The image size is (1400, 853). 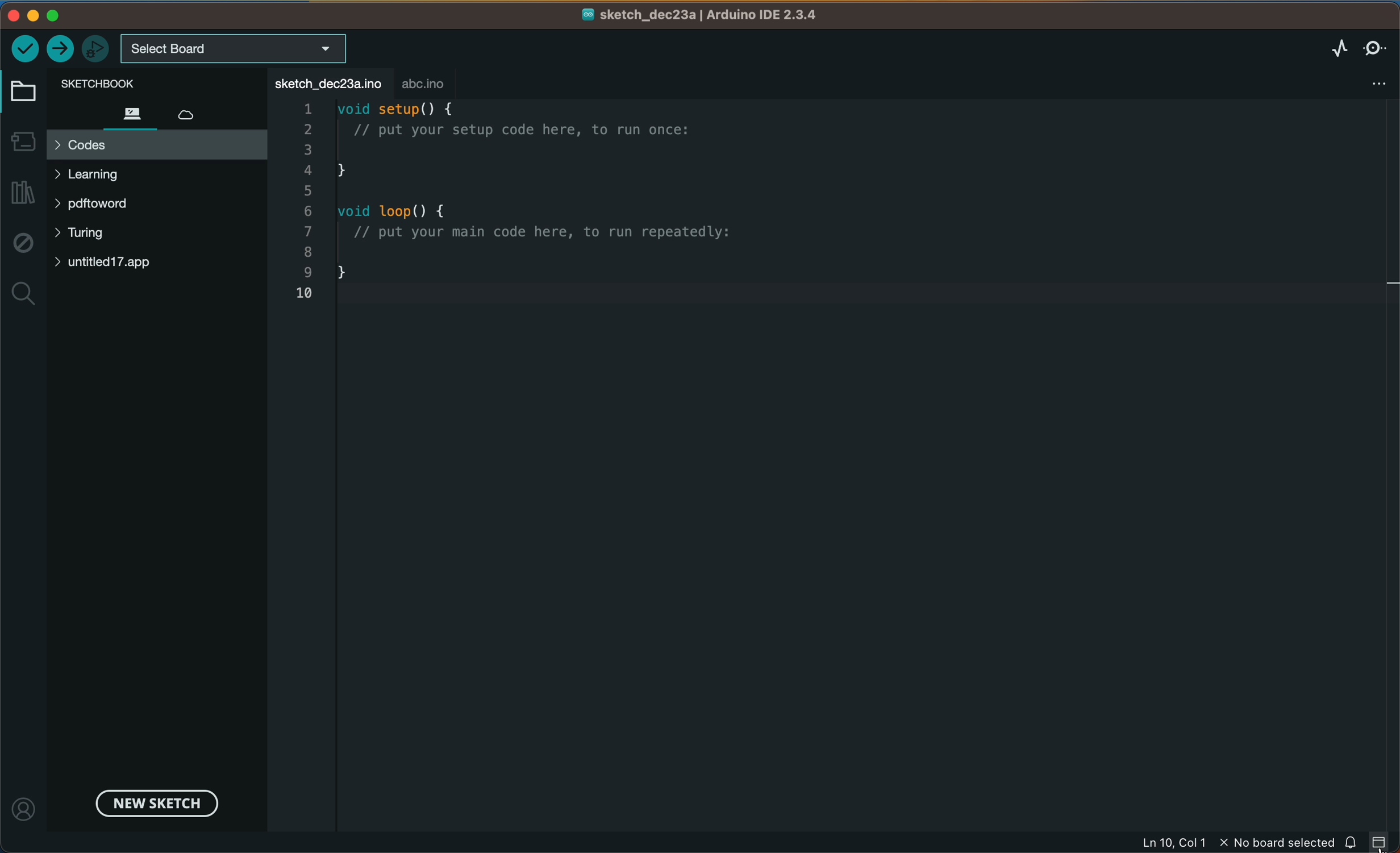 I want to click on icloud, so click(x=188, y=116).